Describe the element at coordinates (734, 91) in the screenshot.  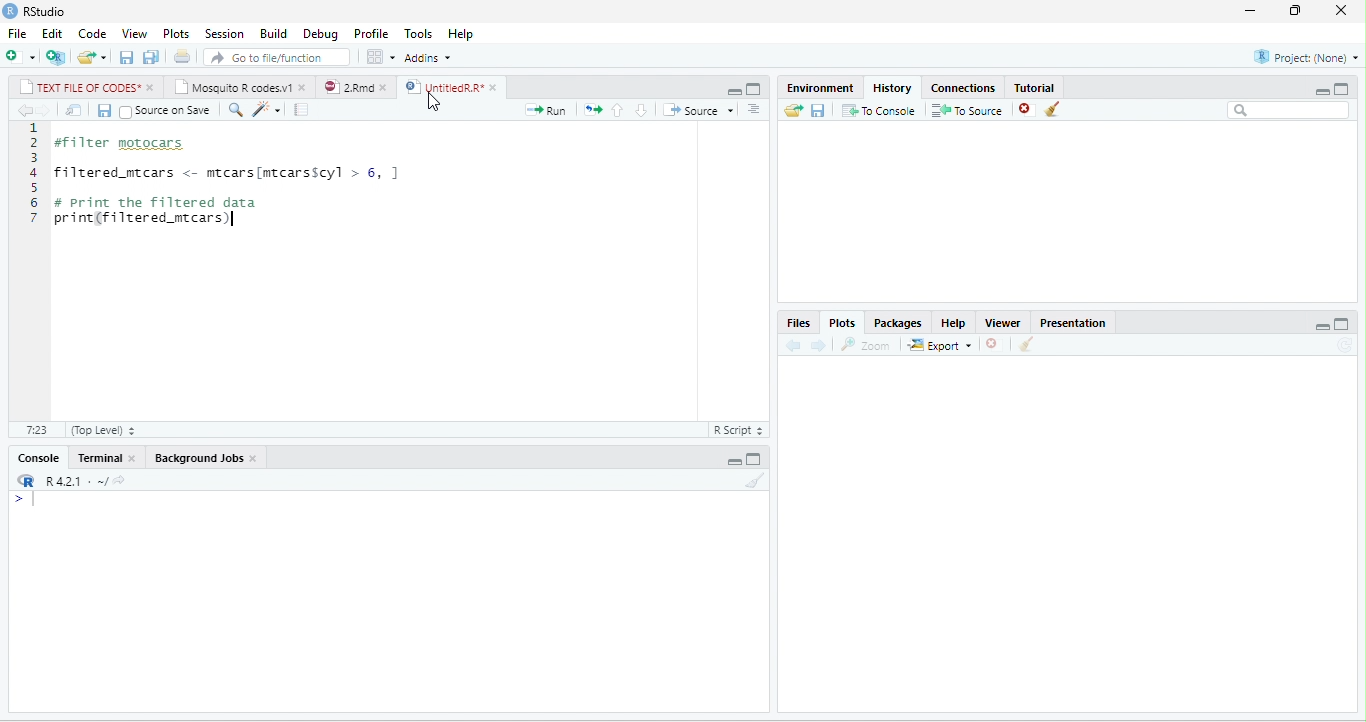
I see `minimize` at that location.